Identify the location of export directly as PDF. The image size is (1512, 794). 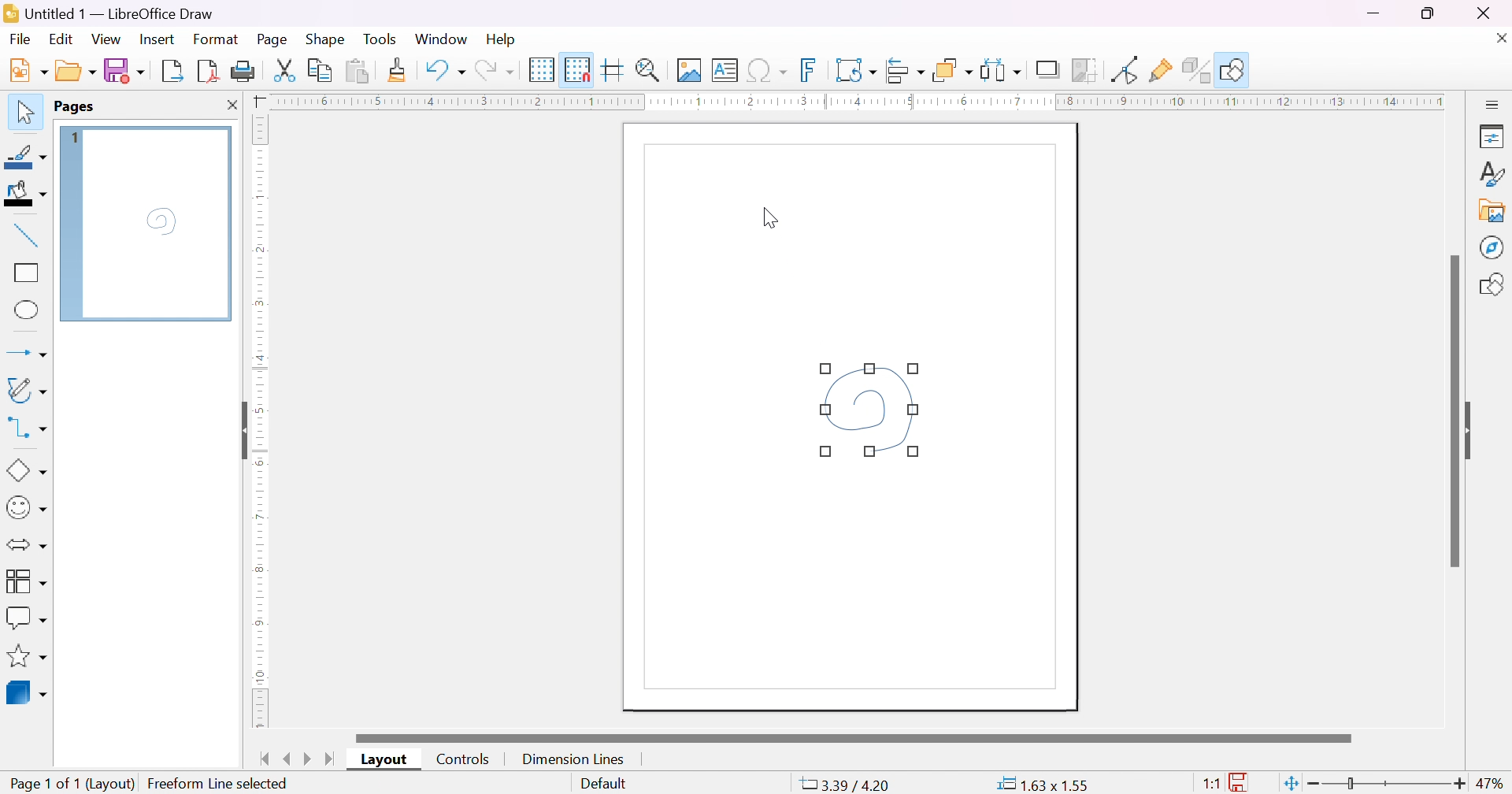
(210, 72).